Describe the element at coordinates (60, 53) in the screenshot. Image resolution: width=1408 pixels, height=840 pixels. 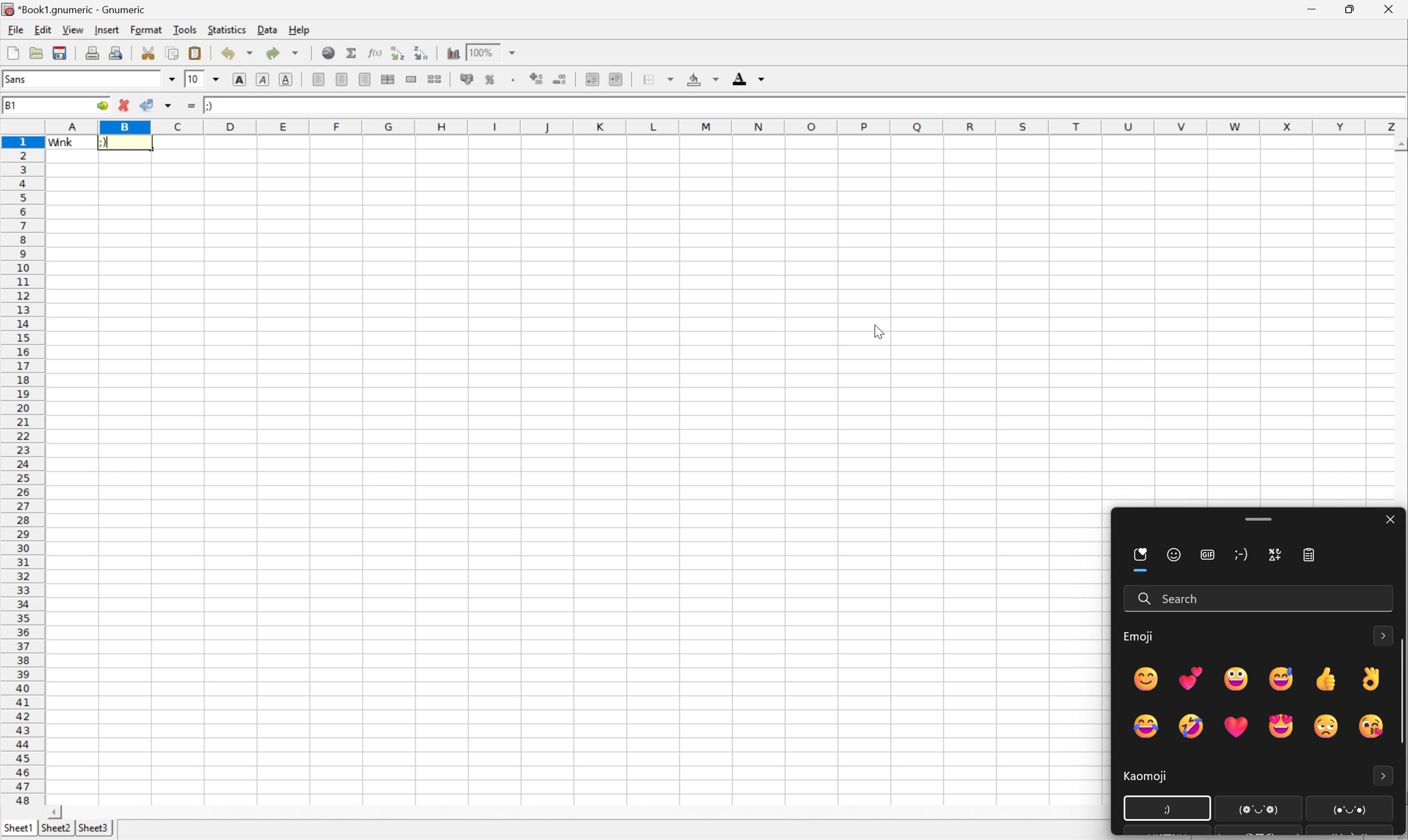
I see `save current workbook` at that location.